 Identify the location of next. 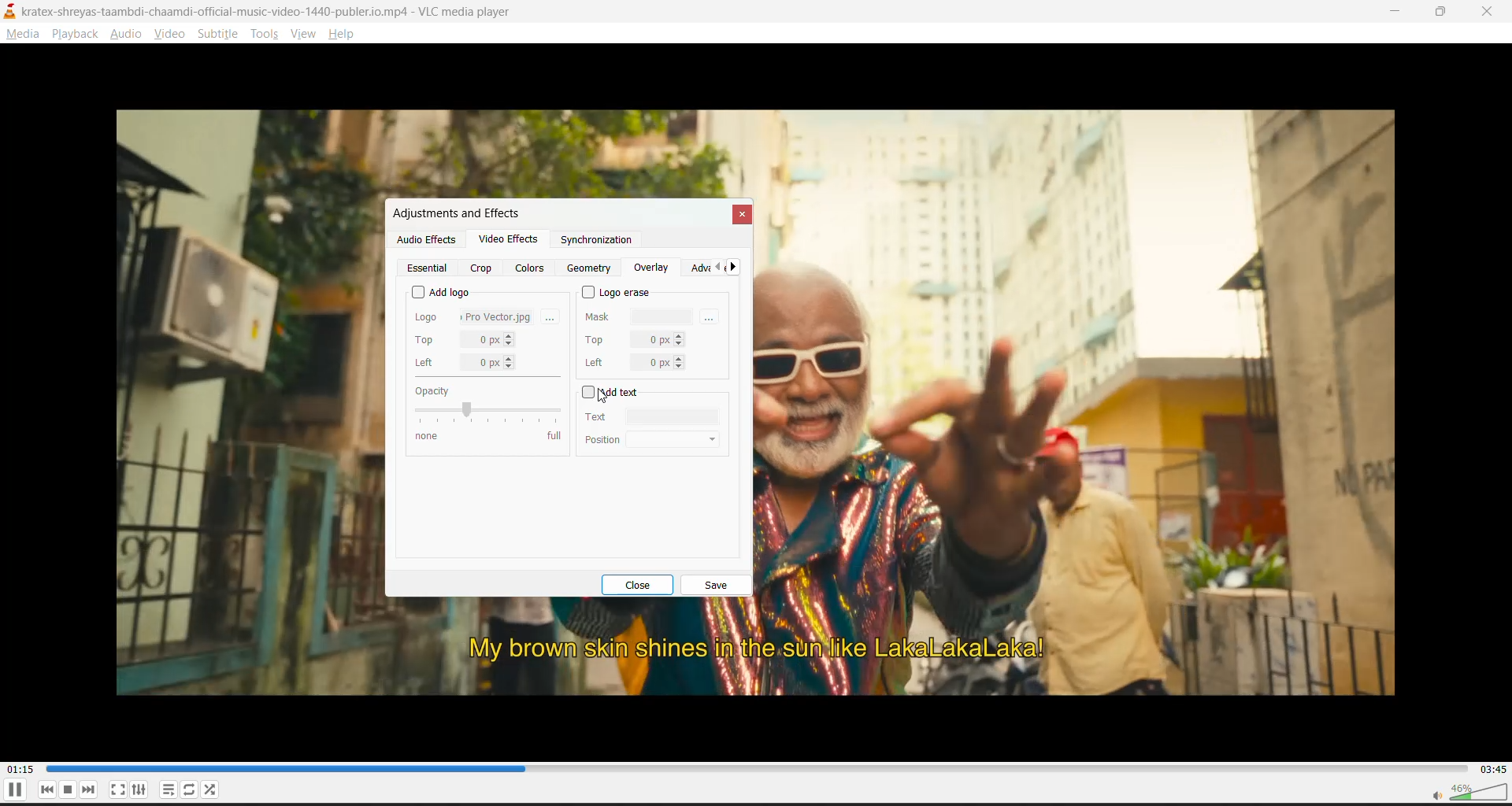
(91, 790).